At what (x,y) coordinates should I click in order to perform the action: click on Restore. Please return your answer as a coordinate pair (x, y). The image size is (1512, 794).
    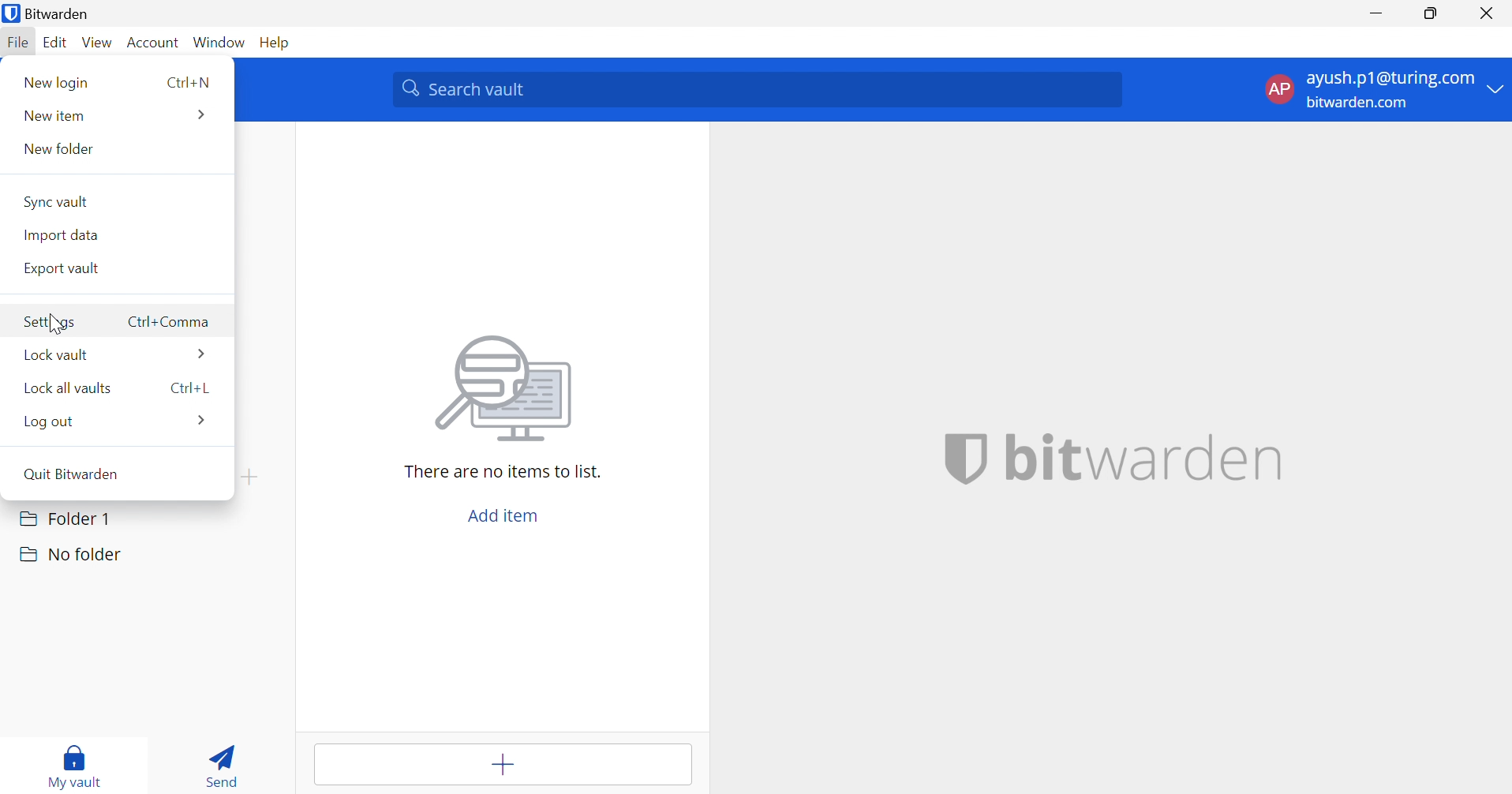
    Looking at the image, I should click on (1432, 14).